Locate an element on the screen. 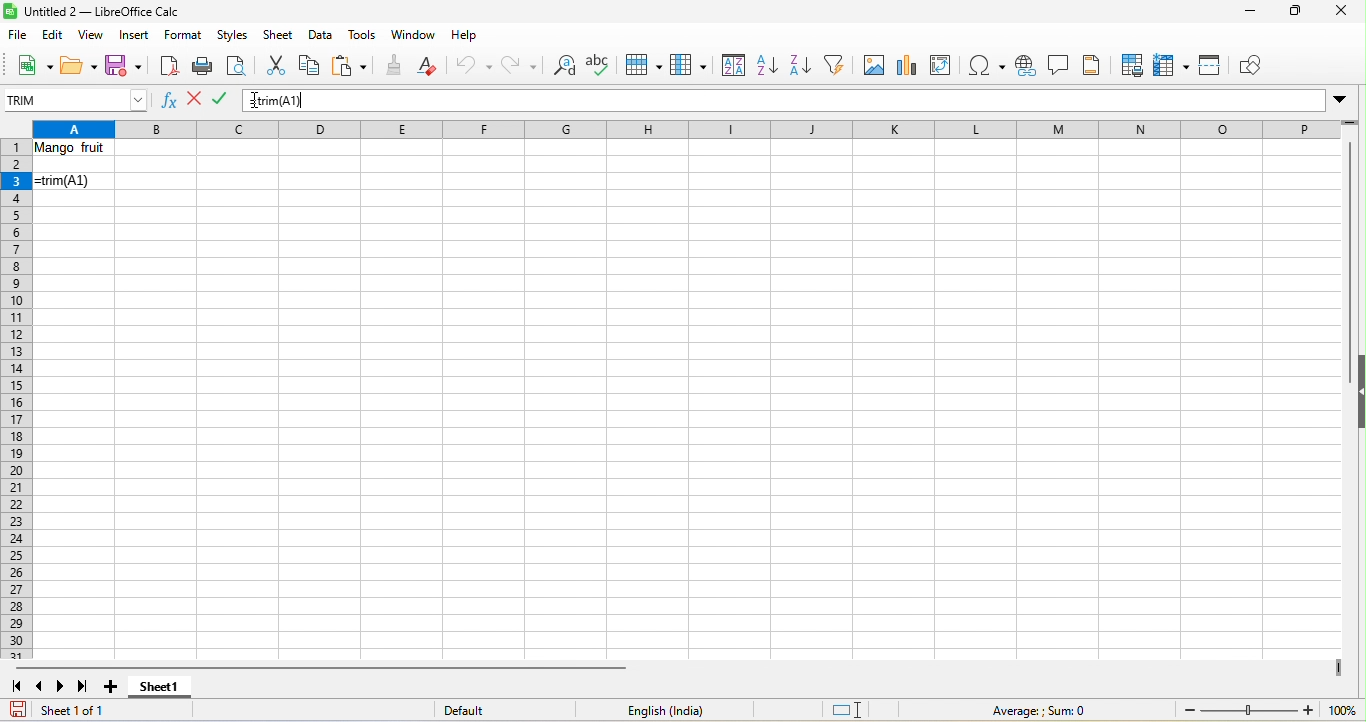 The image size is (1366, 722). drag to view next columns is located at coordinates (1341, 668).